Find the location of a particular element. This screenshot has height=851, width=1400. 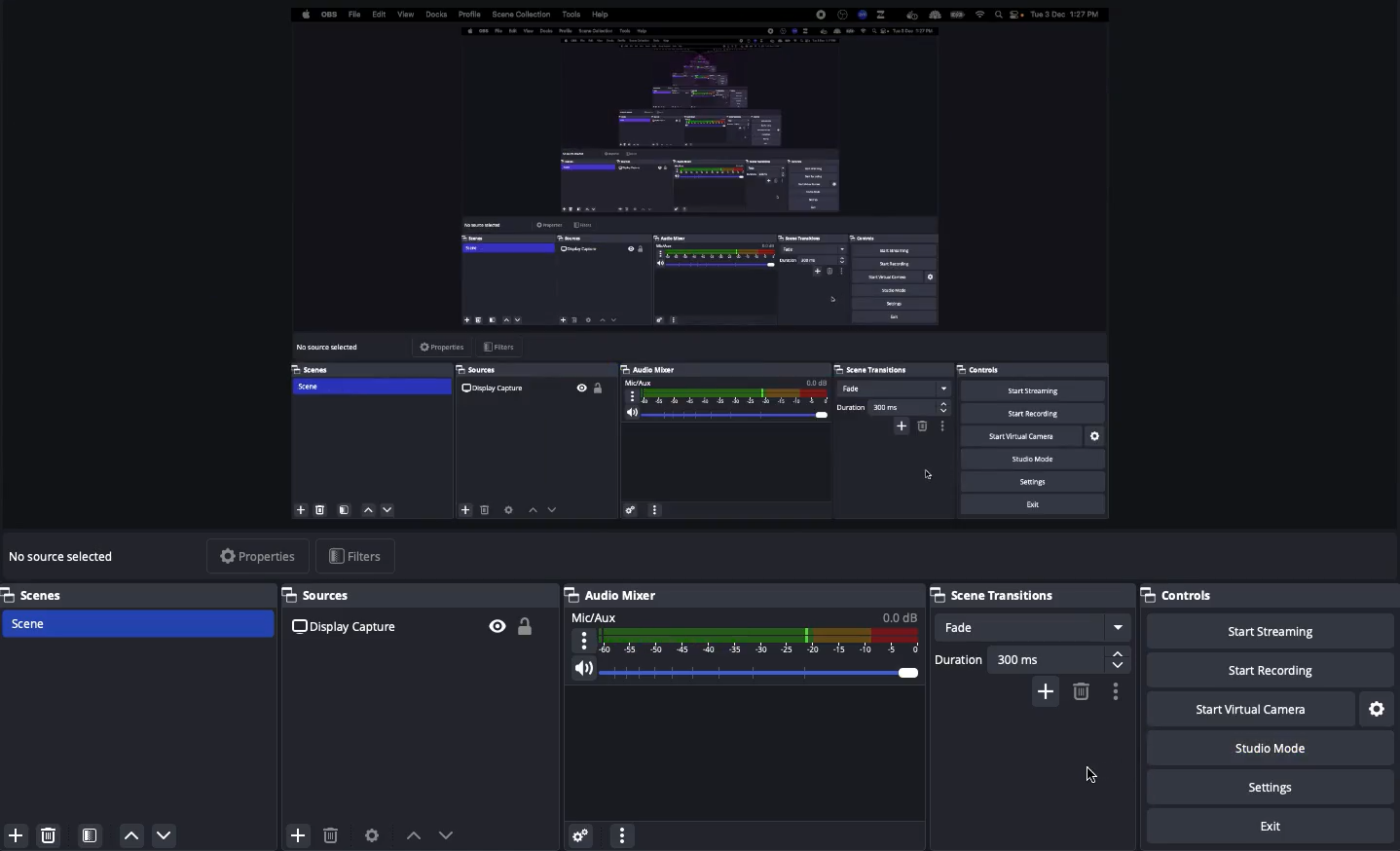

Display capture is located at coordinates (349, 629).